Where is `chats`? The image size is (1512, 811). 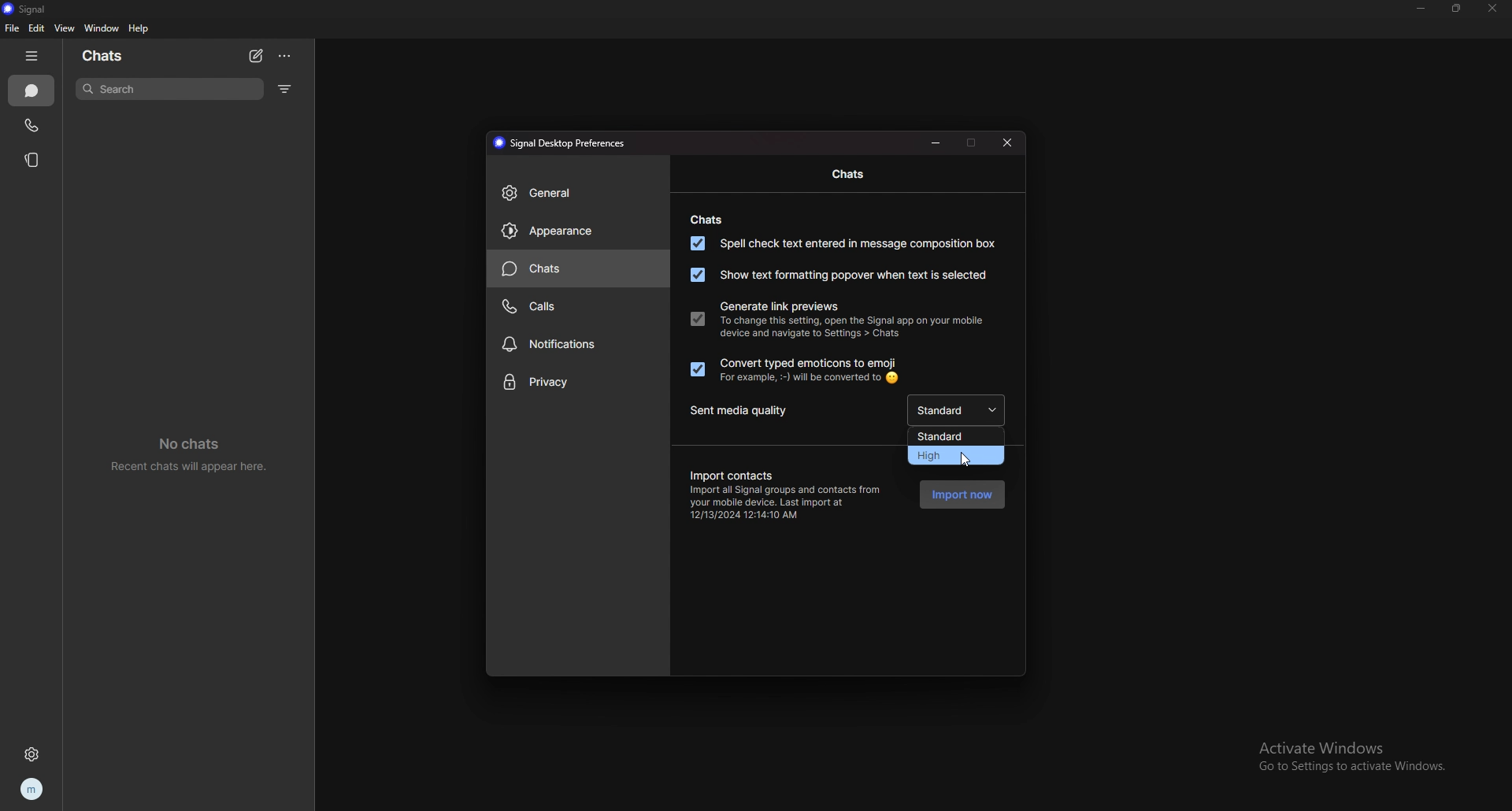 chats is located at coordinates (31, 91).